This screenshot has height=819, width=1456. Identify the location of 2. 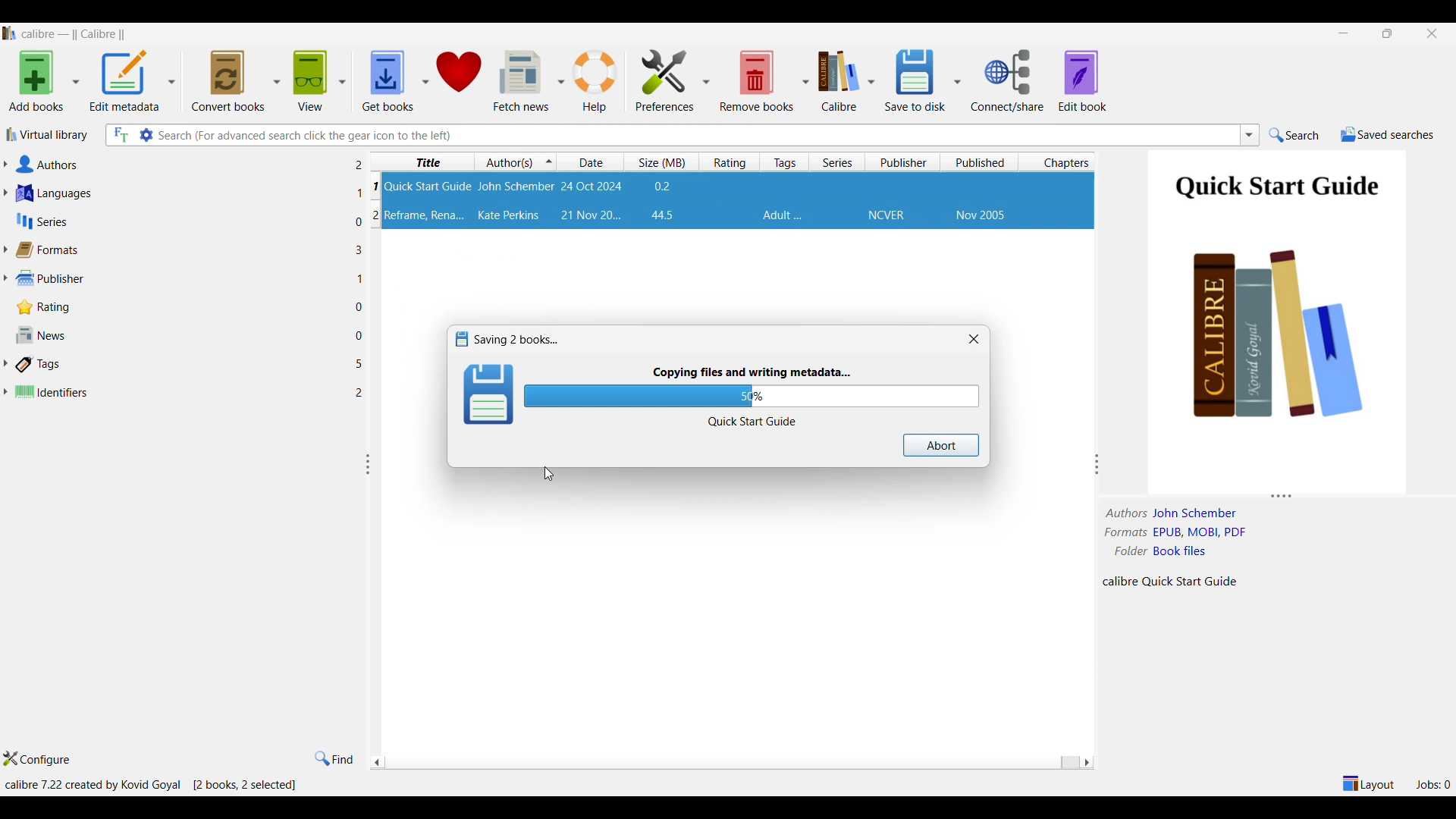
(372, 215).